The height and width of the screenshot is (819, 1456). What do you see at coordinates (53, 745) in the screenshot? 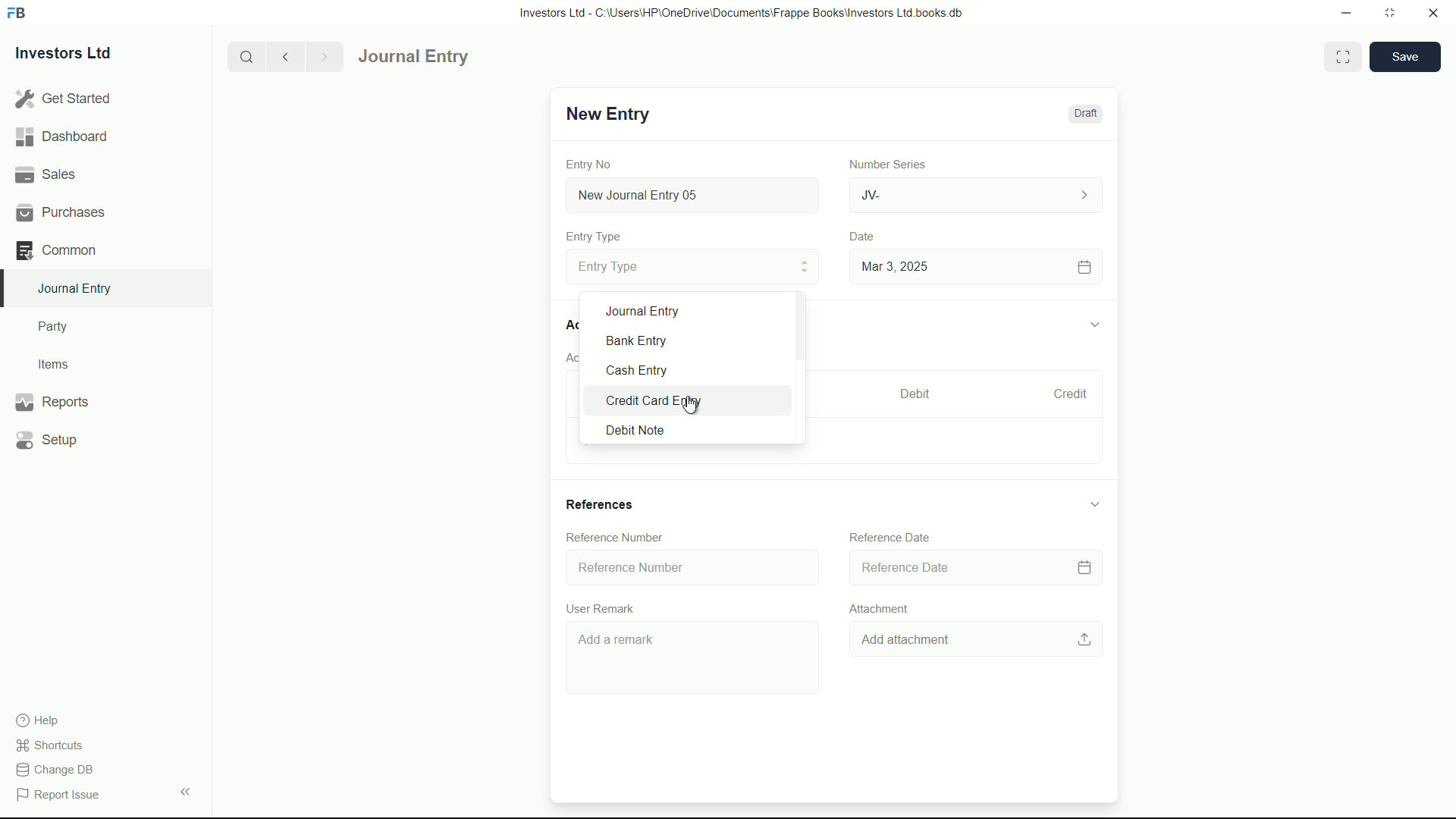
I see `shortcuts` at bounding box center [53, 745].